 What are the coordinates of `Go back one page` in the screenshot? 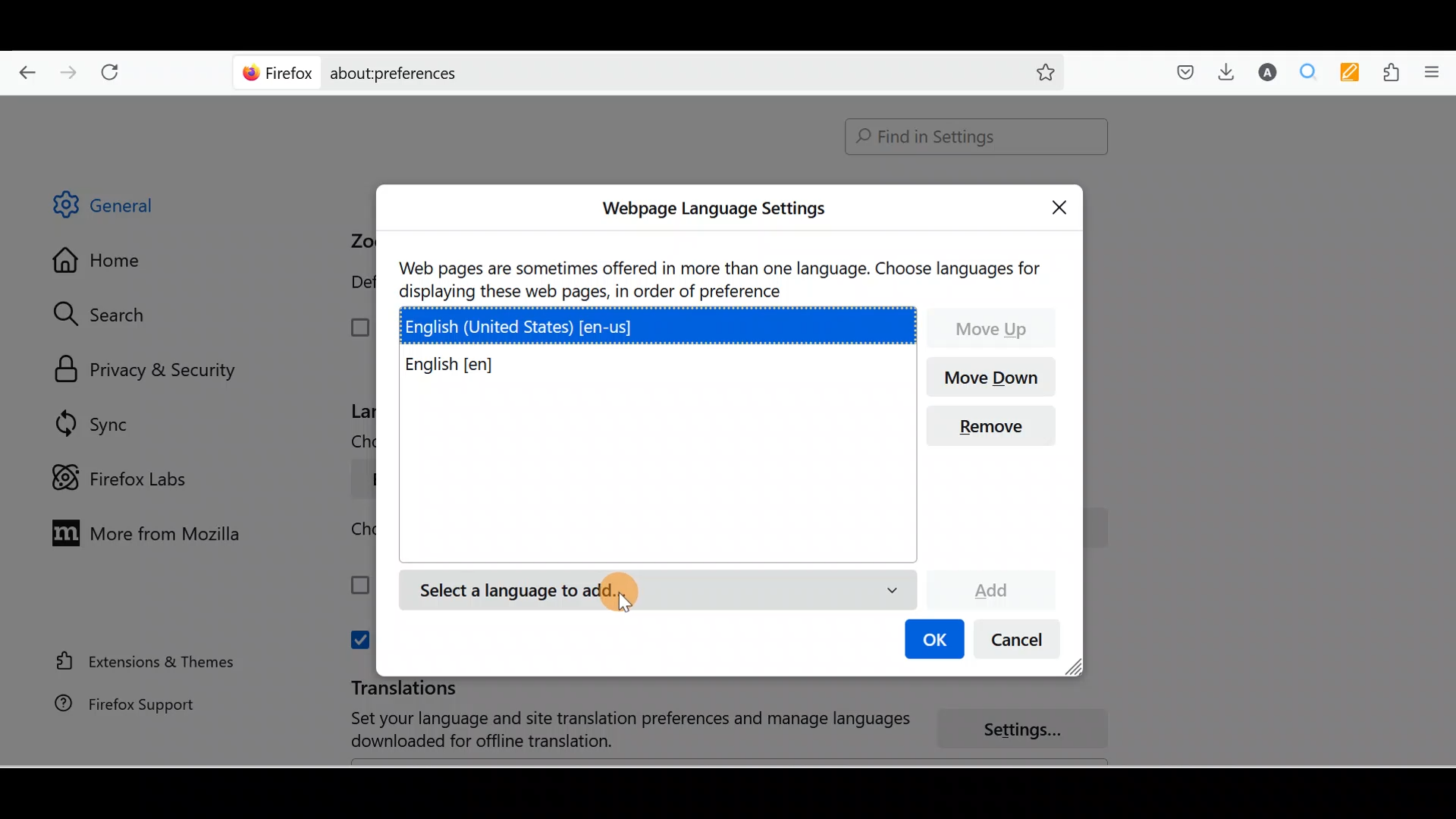 It's located at (21, 68).